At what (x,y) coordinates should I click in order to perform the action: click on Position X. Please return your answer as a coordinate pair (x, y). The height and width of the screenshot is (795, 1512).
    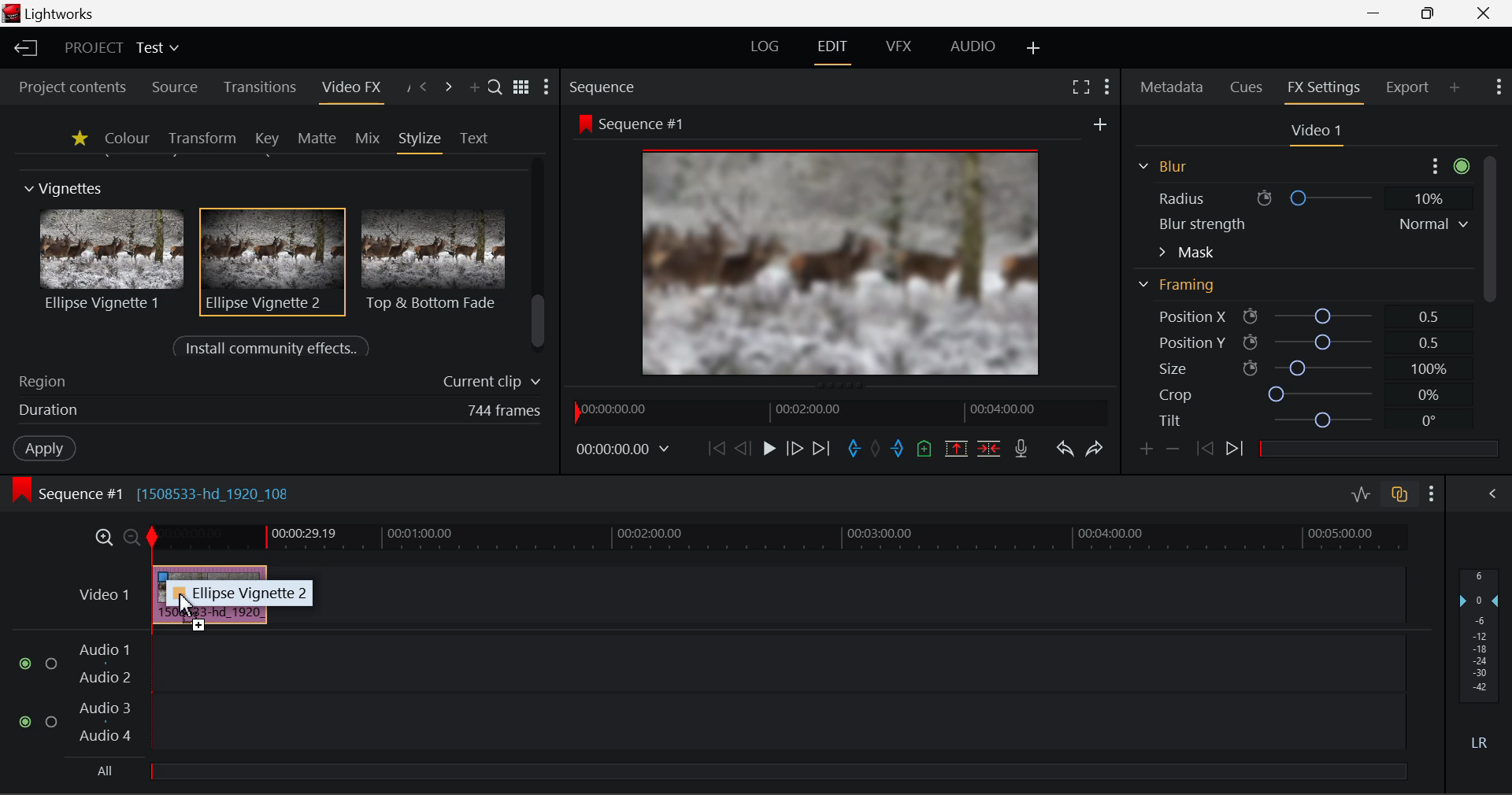
    Looking at the image, I should click on (1295, 317).